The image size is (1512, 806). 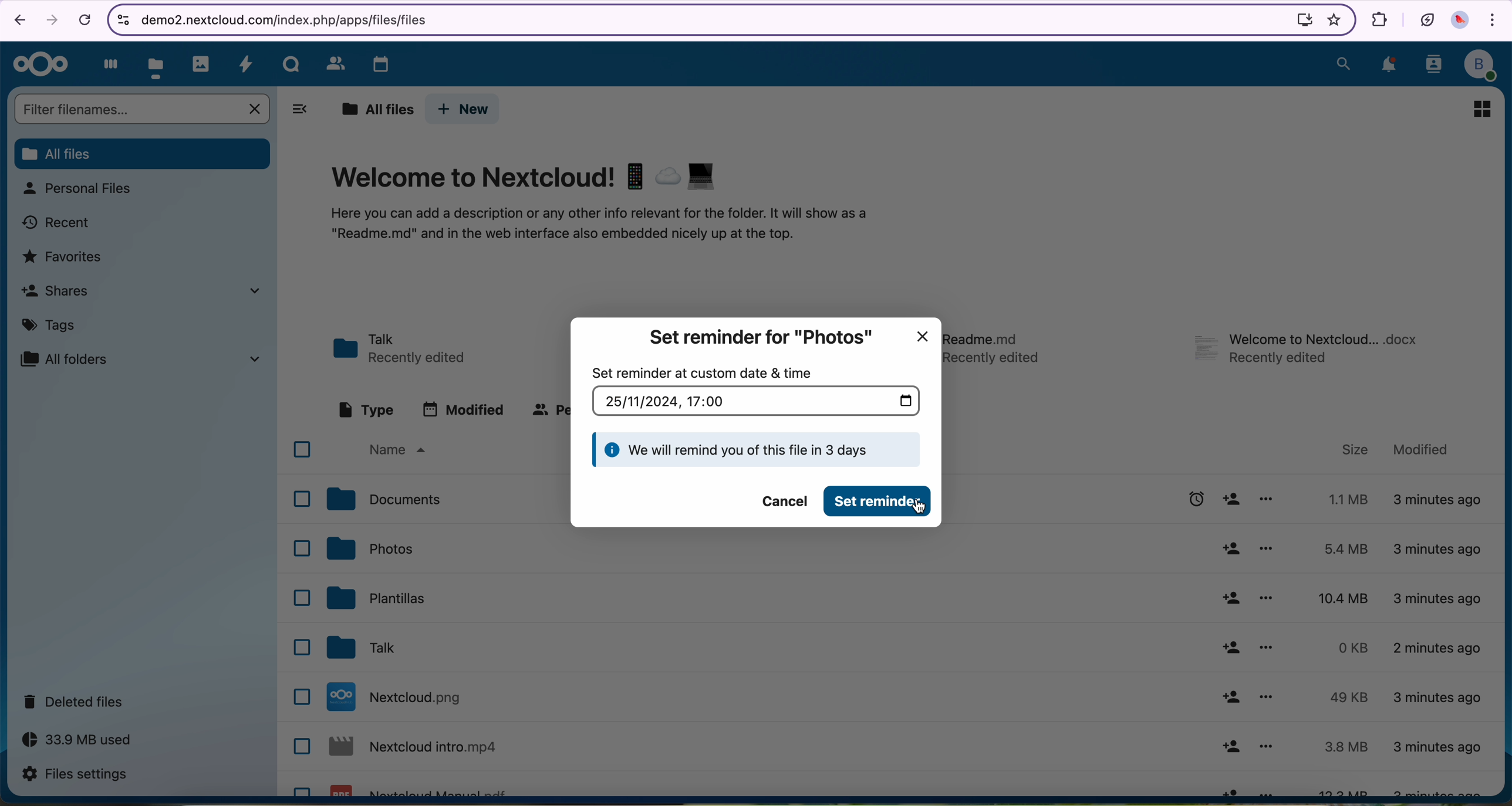 What do you see at coordinates (465, 109) in the screenshot?
I see `new button` at bounding box center [465, 109].